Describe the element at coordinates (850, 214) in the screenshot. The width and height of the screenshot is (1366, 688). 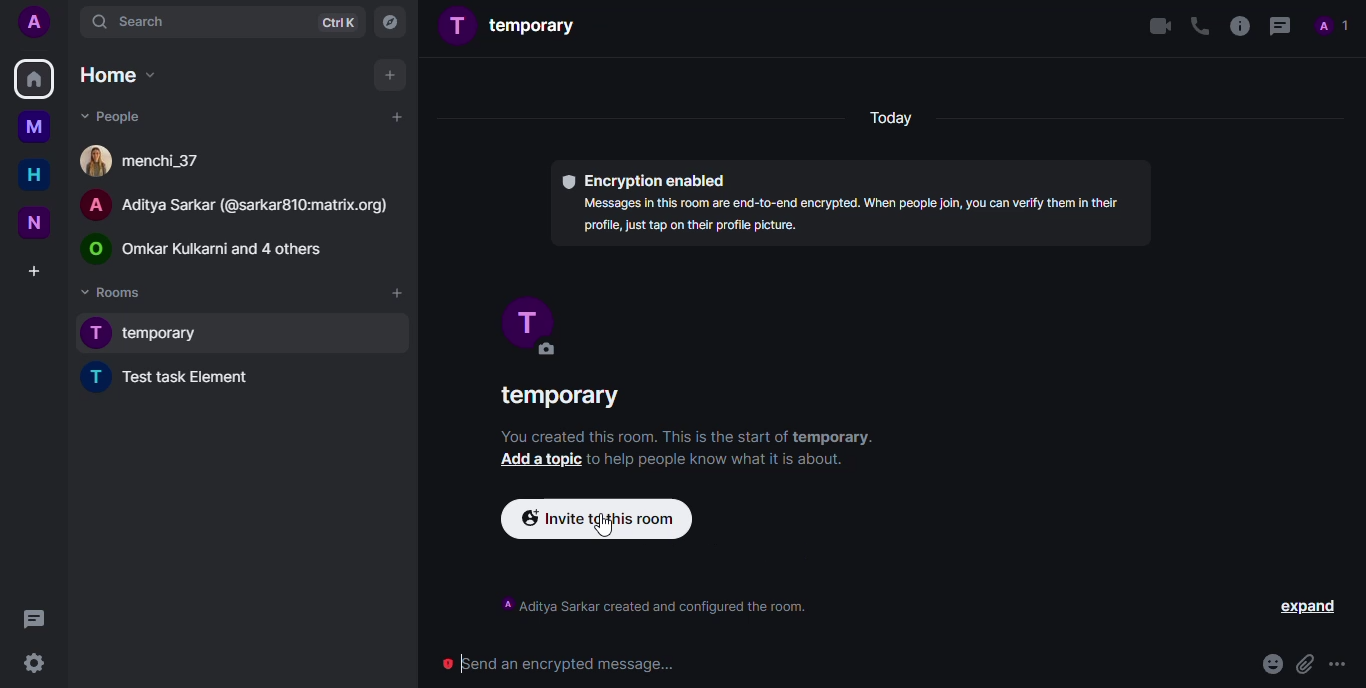
I see `Messages In this room are end-to-end encrypted. When people join, you can verify them in their
profile, just tap on their profile picture.` at that location.